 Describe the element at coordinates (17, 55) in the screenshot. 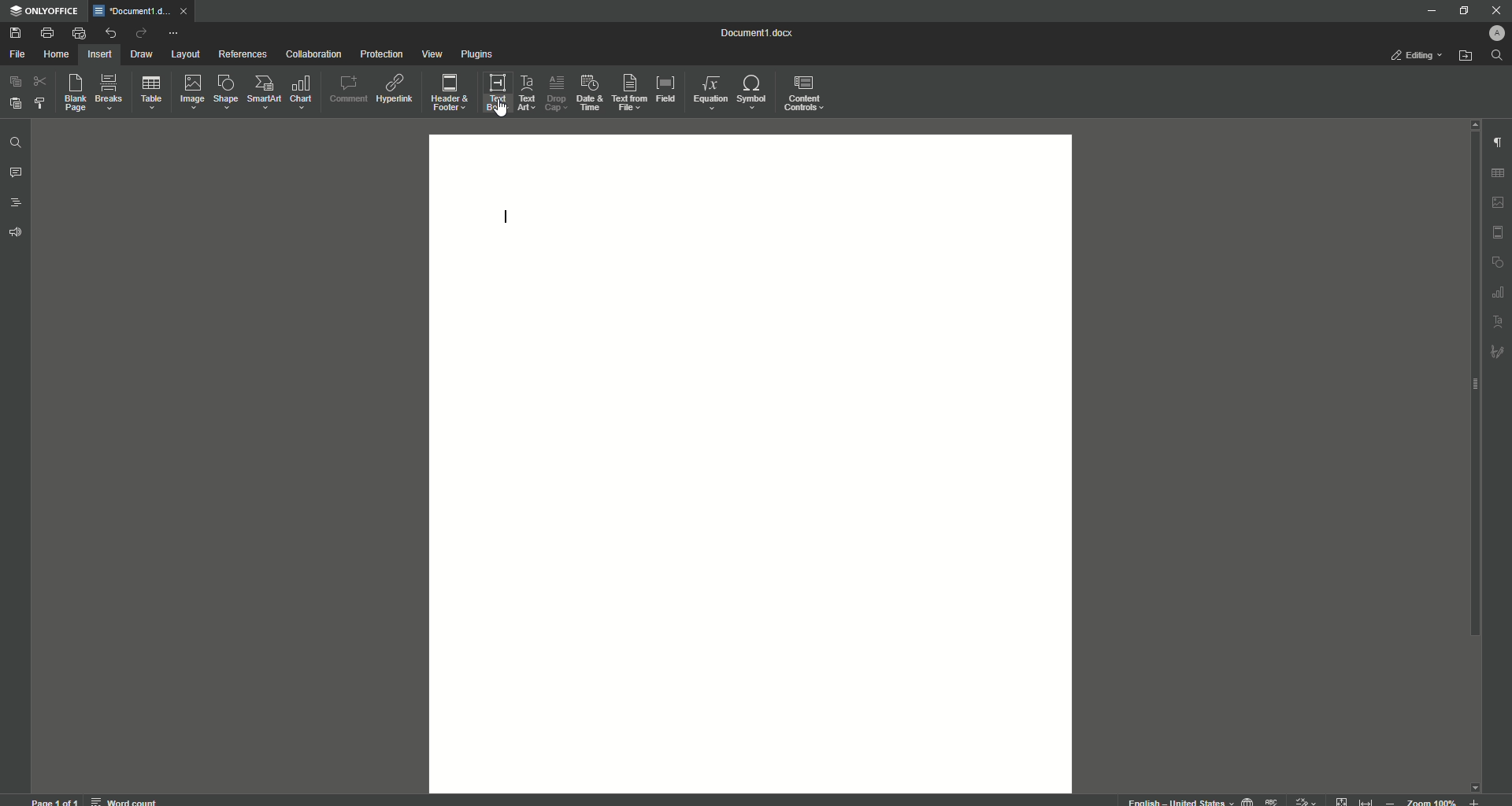

I see `File` at that location.